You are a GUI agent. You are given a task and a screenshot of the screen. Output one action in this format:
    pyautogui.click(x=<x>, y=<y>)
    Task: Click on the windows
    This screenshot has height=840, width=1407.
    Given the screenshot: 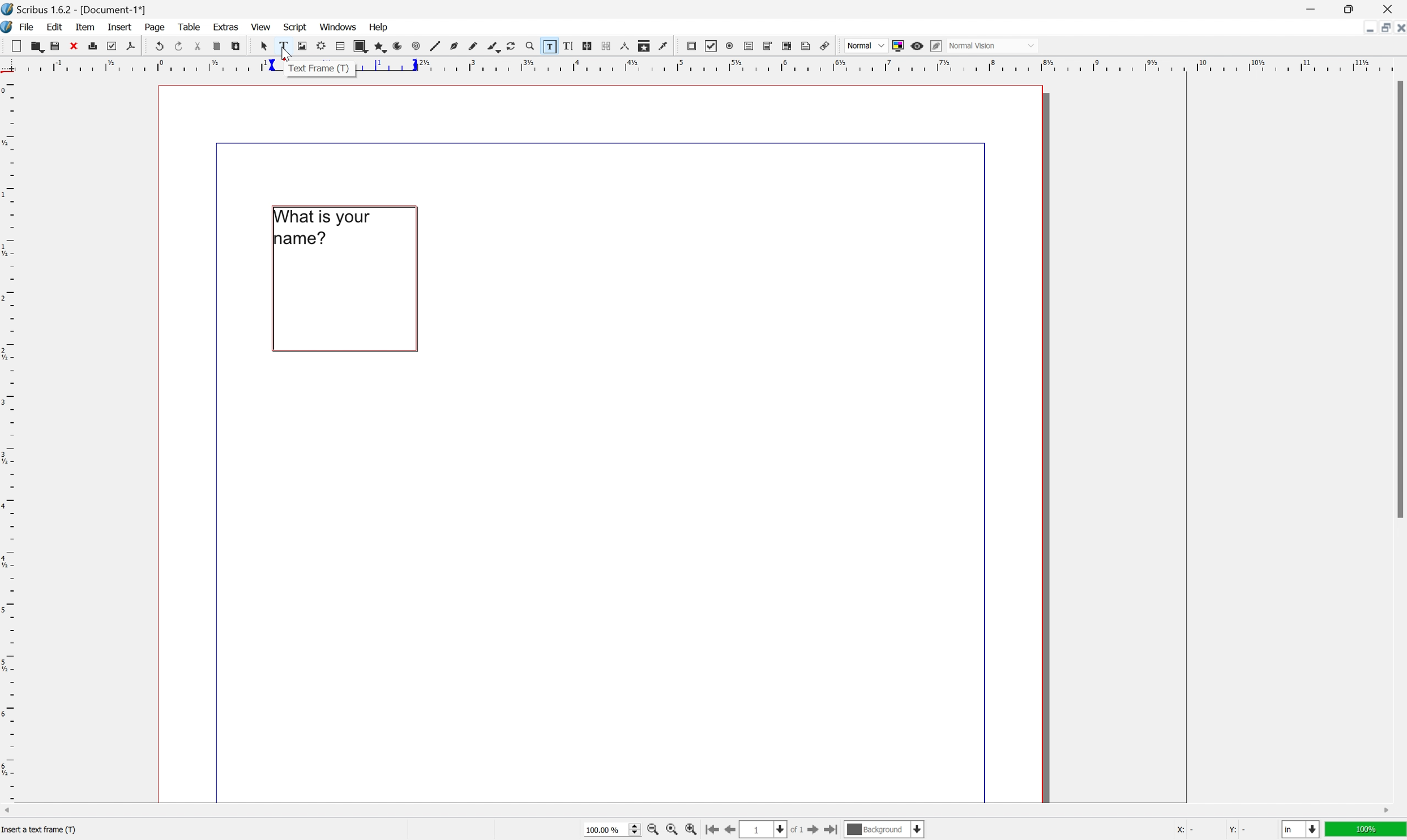 What is the action you would take?
    pyautogui.click(x=339, y=27)
    